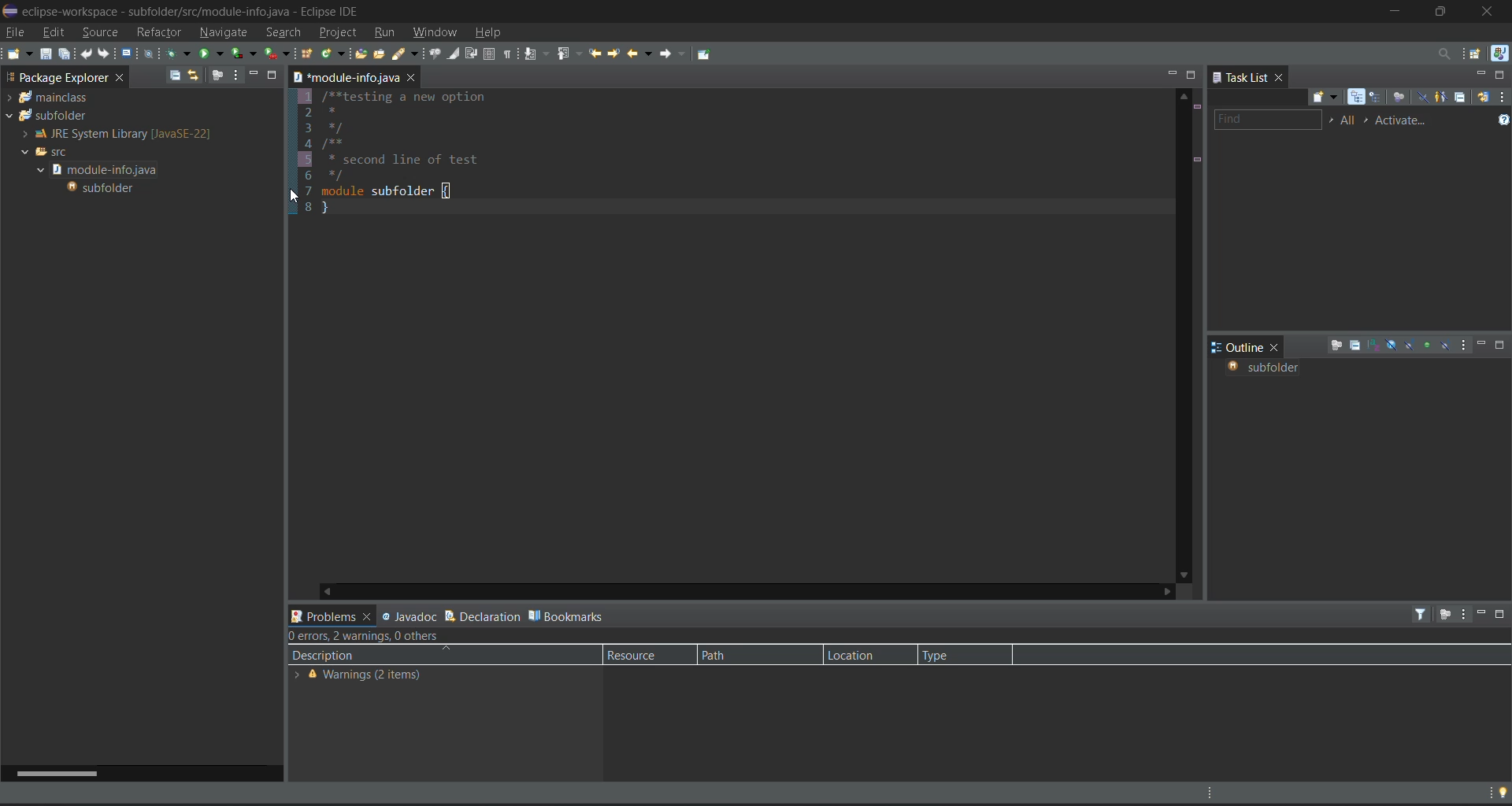 This screenshot has width=1512, height=806. Describe the element at coordinates (332, 53) in the screenshot. I see `new java class` at that location.